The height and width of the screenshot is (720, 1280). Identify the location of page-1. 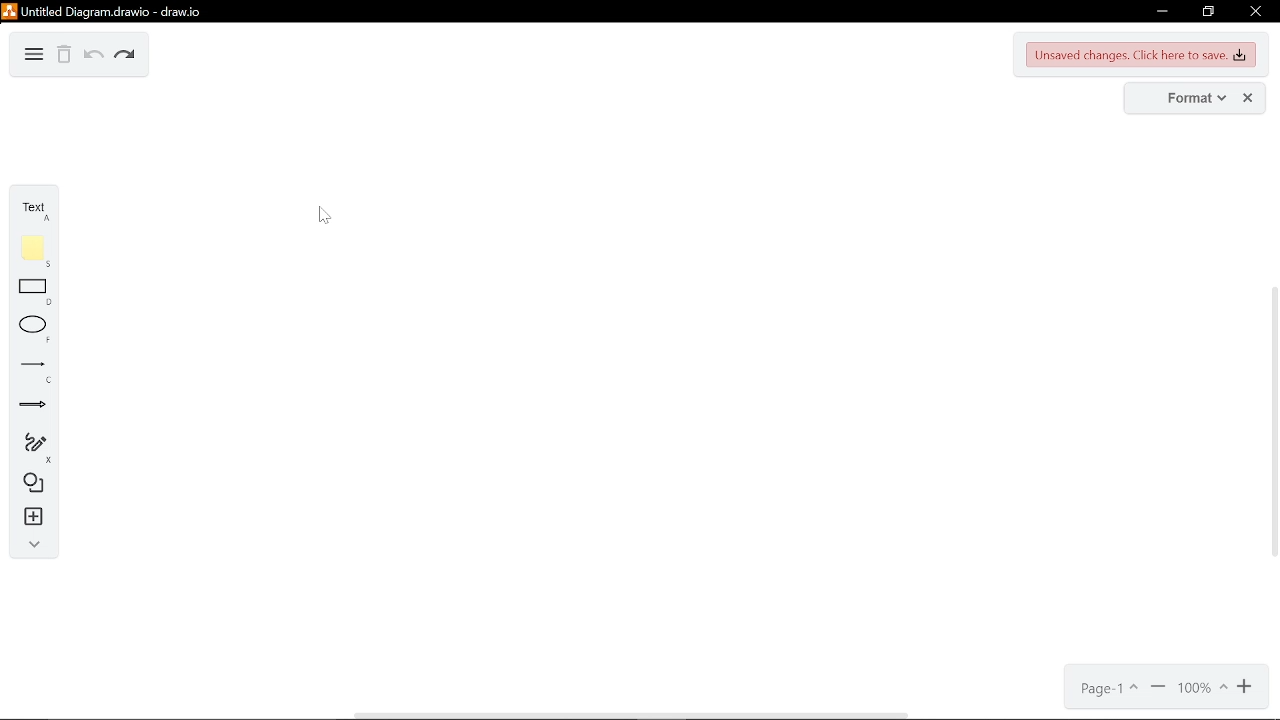
(1107, 689).